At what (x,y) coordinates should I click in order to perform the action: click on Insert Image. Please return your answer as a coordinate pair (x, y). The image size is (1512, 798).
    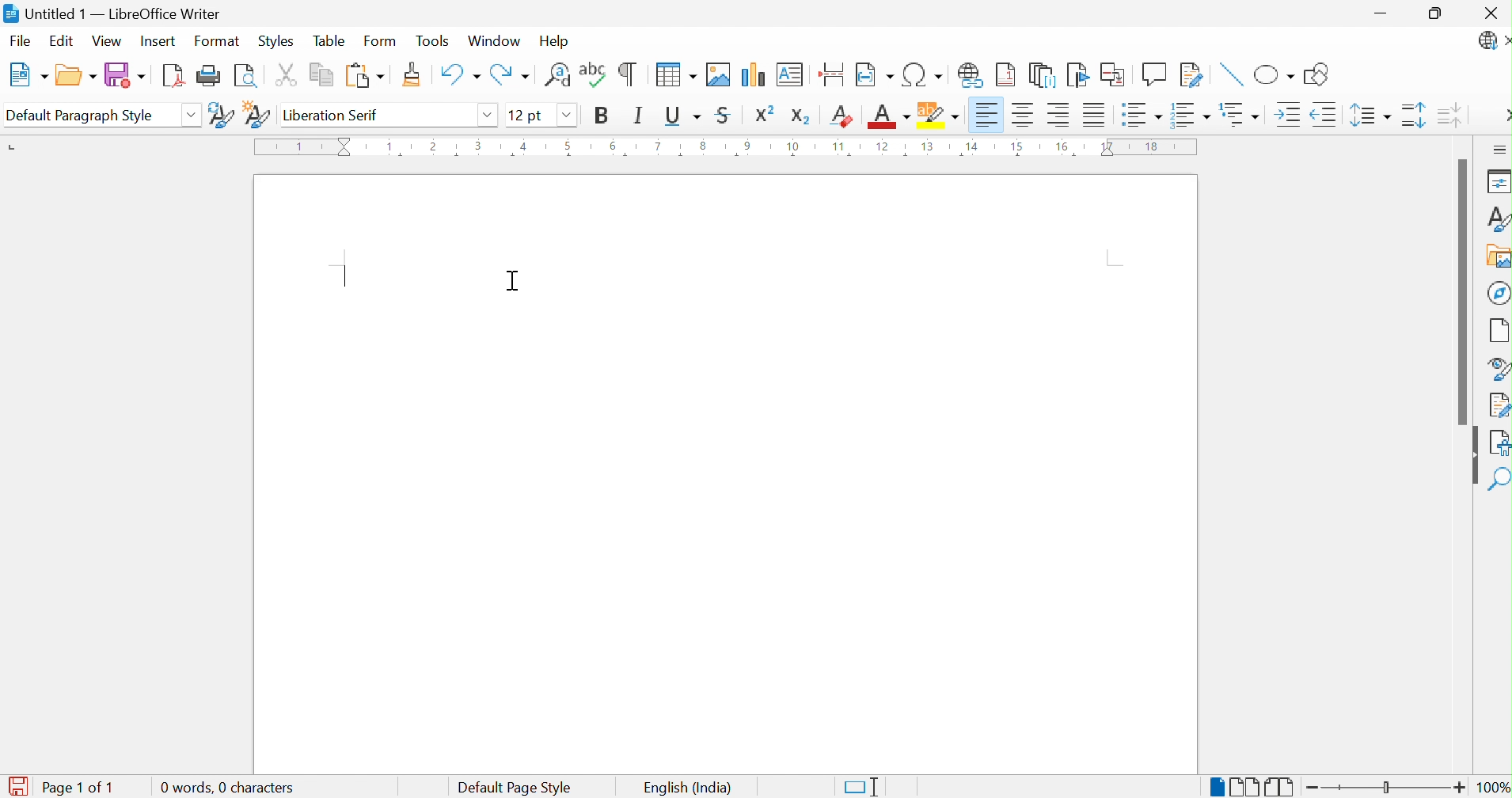
    Looking at the image, I should click on (716, 74).